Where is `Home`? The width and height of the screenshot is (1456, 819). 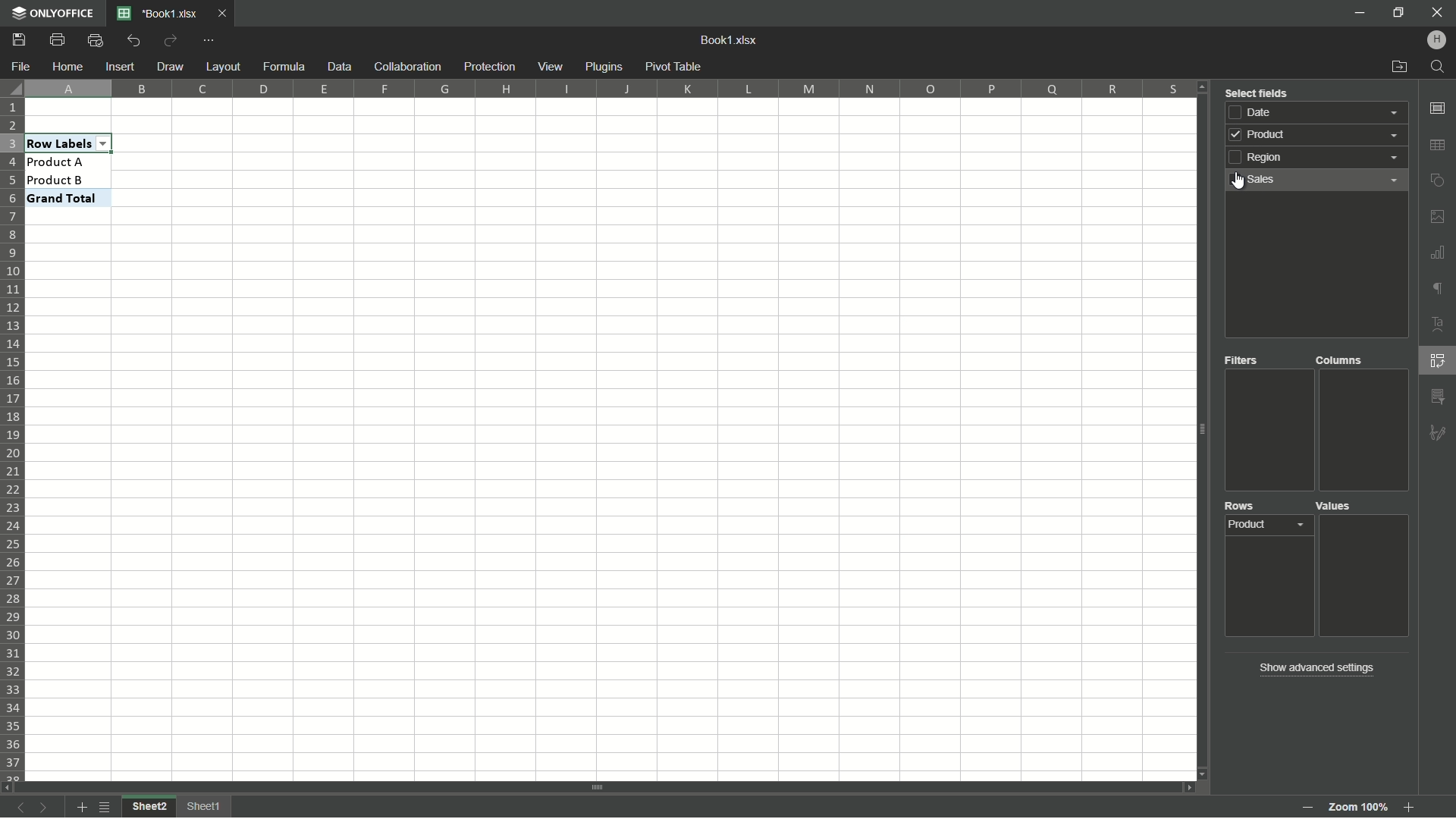
Home is located at coordinates (69, 65).